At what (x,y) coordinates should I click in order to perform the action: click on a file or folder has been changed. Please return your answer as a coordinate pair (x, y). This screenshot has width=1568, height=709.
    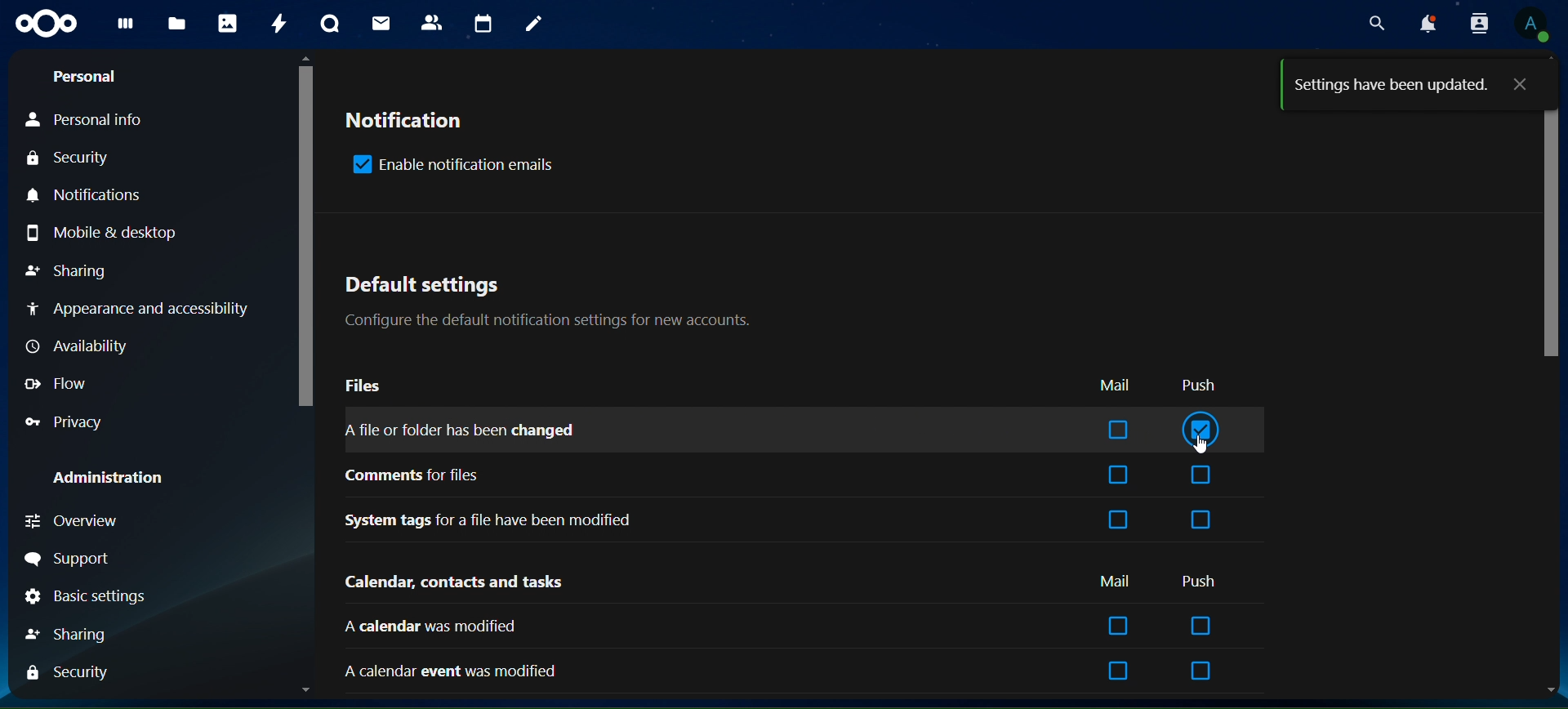
    Looking at the image, I should click on (466, 431).